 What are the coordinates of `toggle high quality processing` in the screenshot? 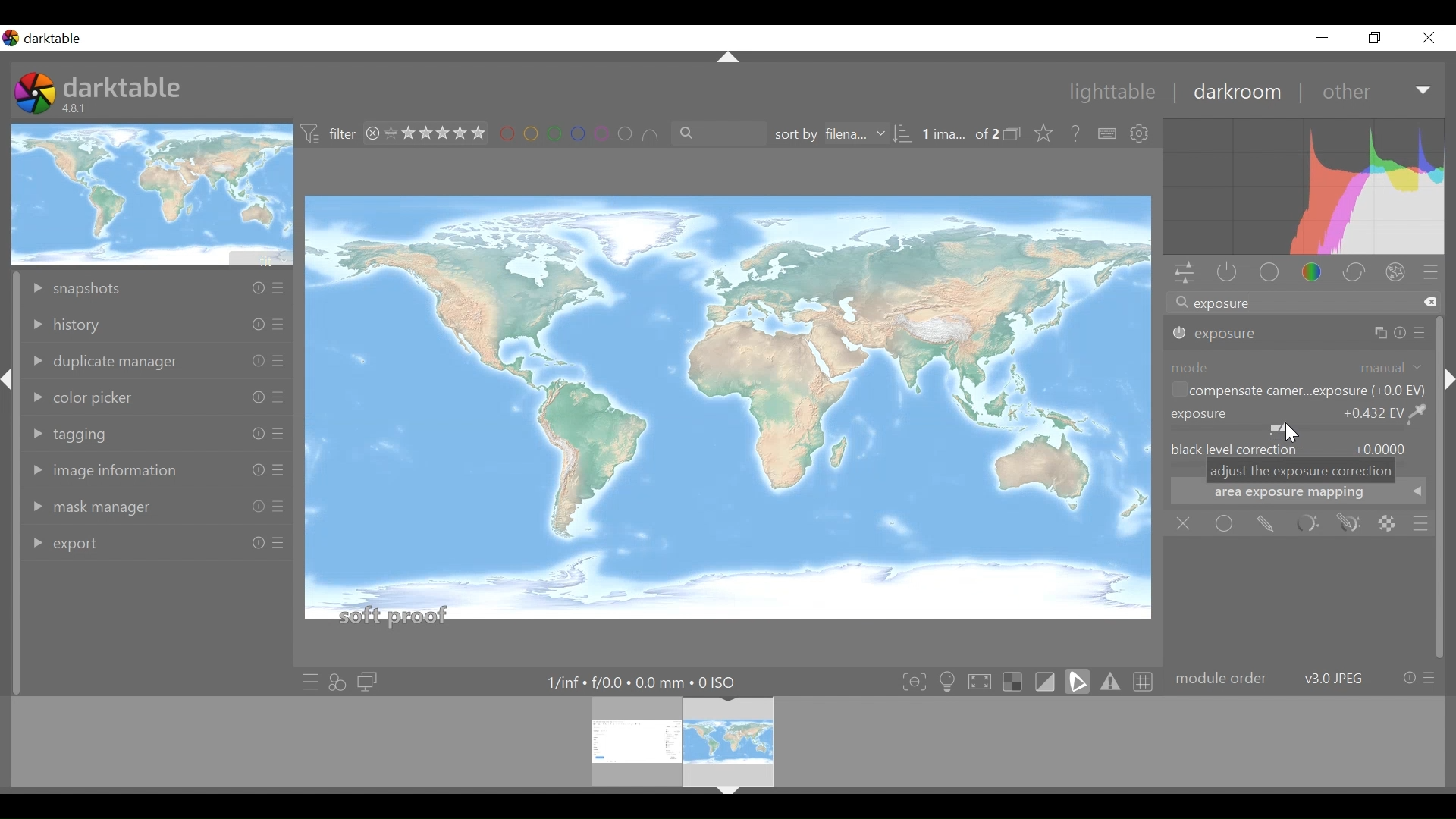 It's located at (984, 681).